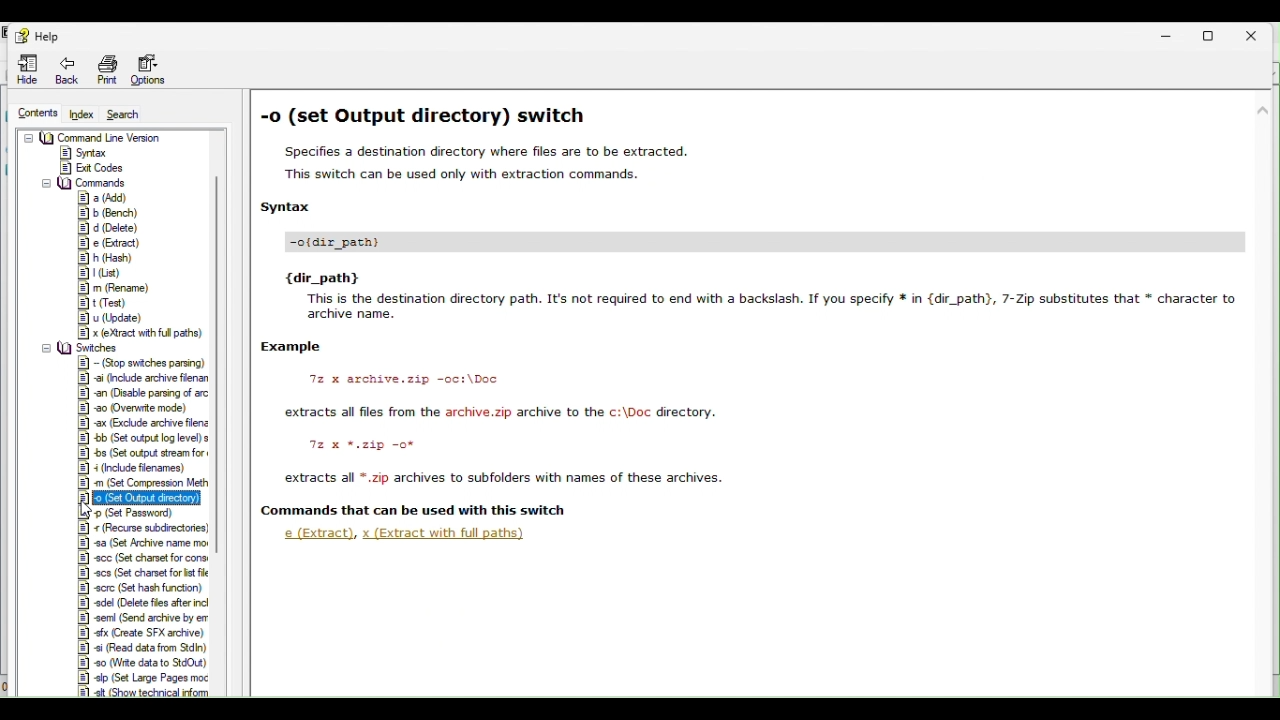  Describe the element at coordinates (100, 304) in the screenshot. I see `Test` at that location.